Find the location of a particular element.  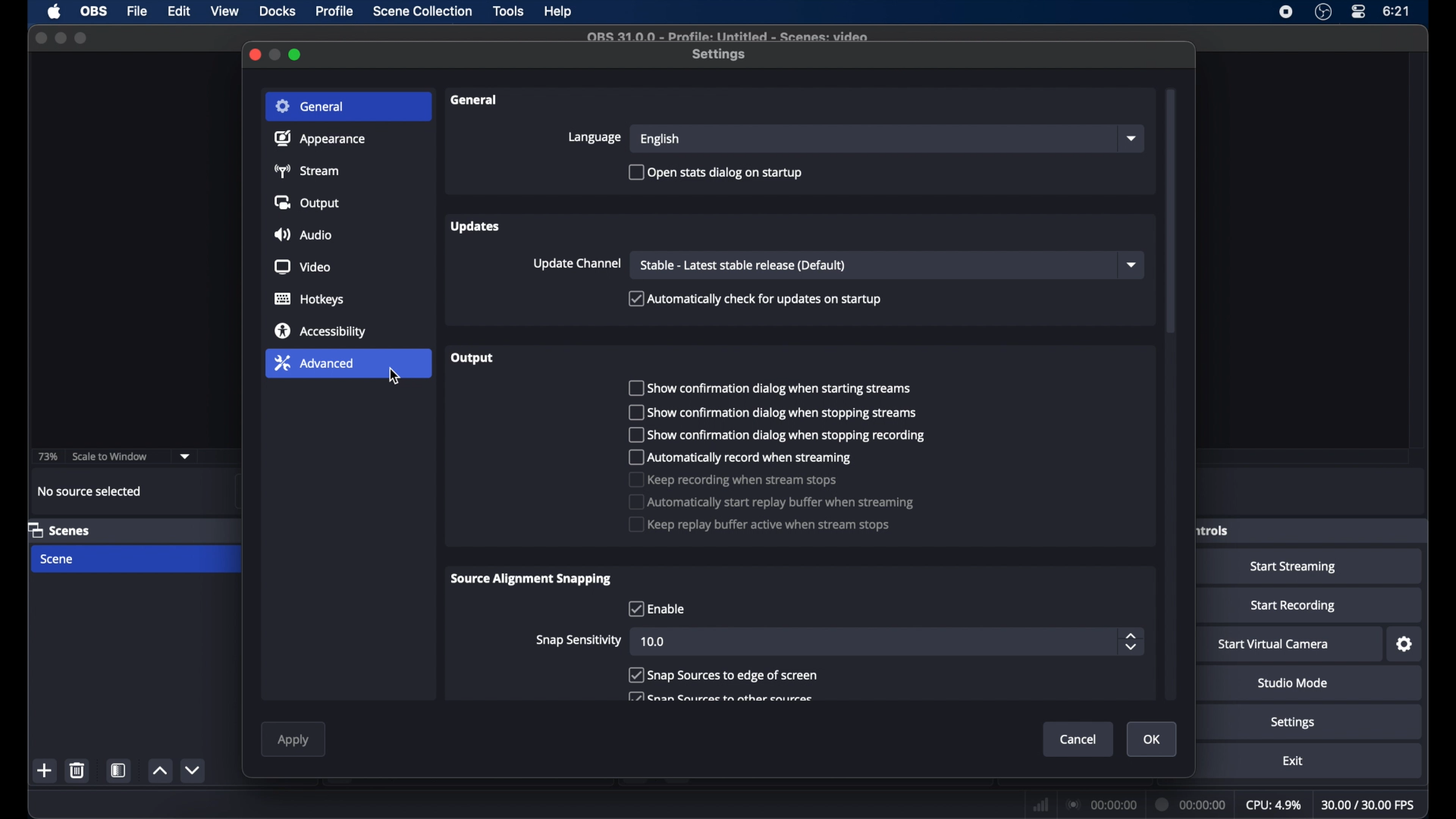

maximize is located at coordinates (296, 55).